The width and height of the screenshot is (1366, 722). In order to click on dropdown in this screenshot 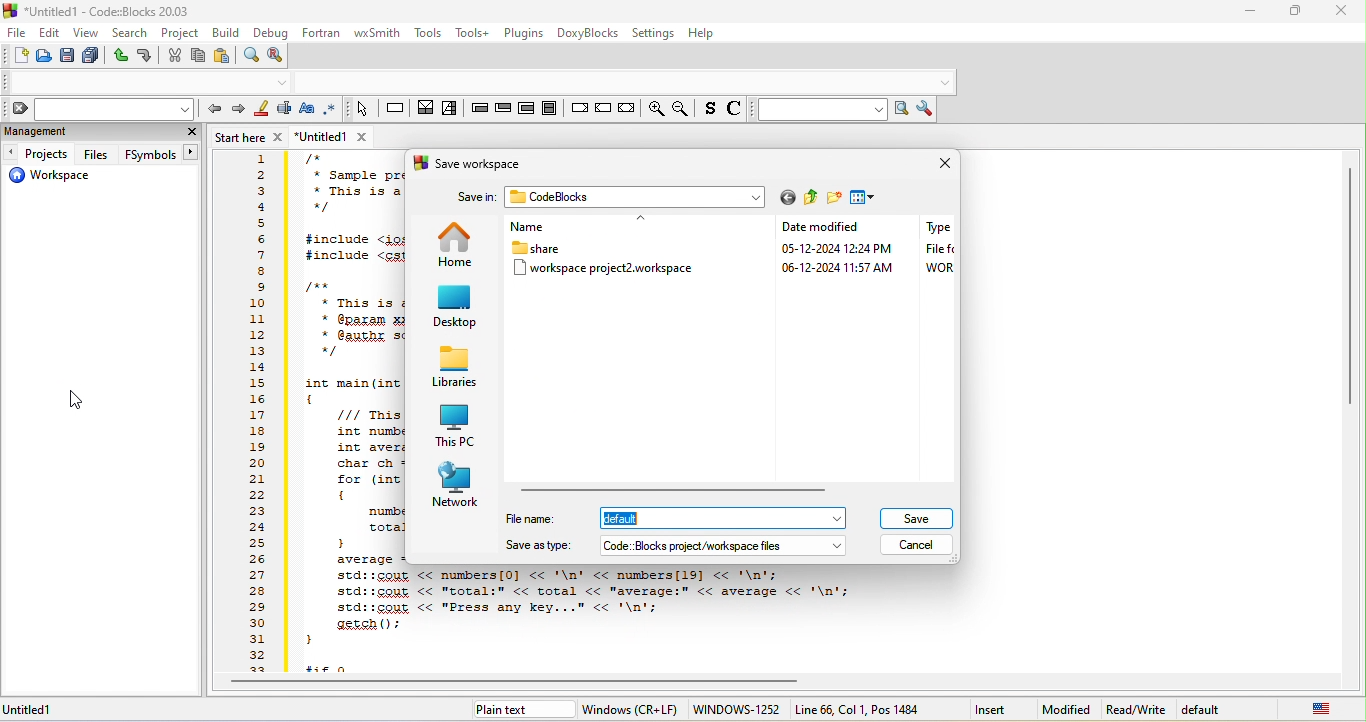, I will do `click(756, 198)`.